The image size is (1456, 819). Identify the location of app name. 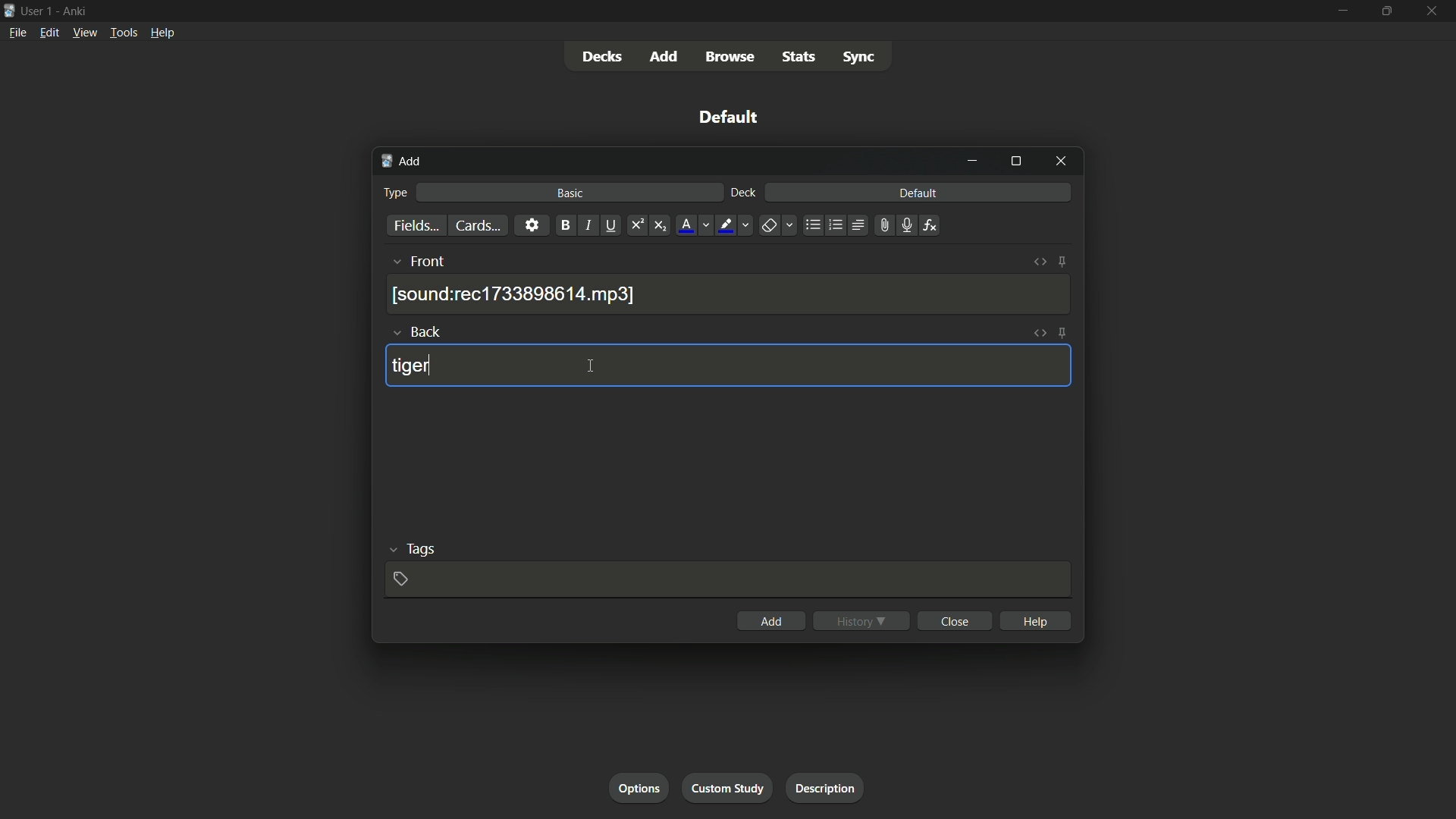
(74, 11).